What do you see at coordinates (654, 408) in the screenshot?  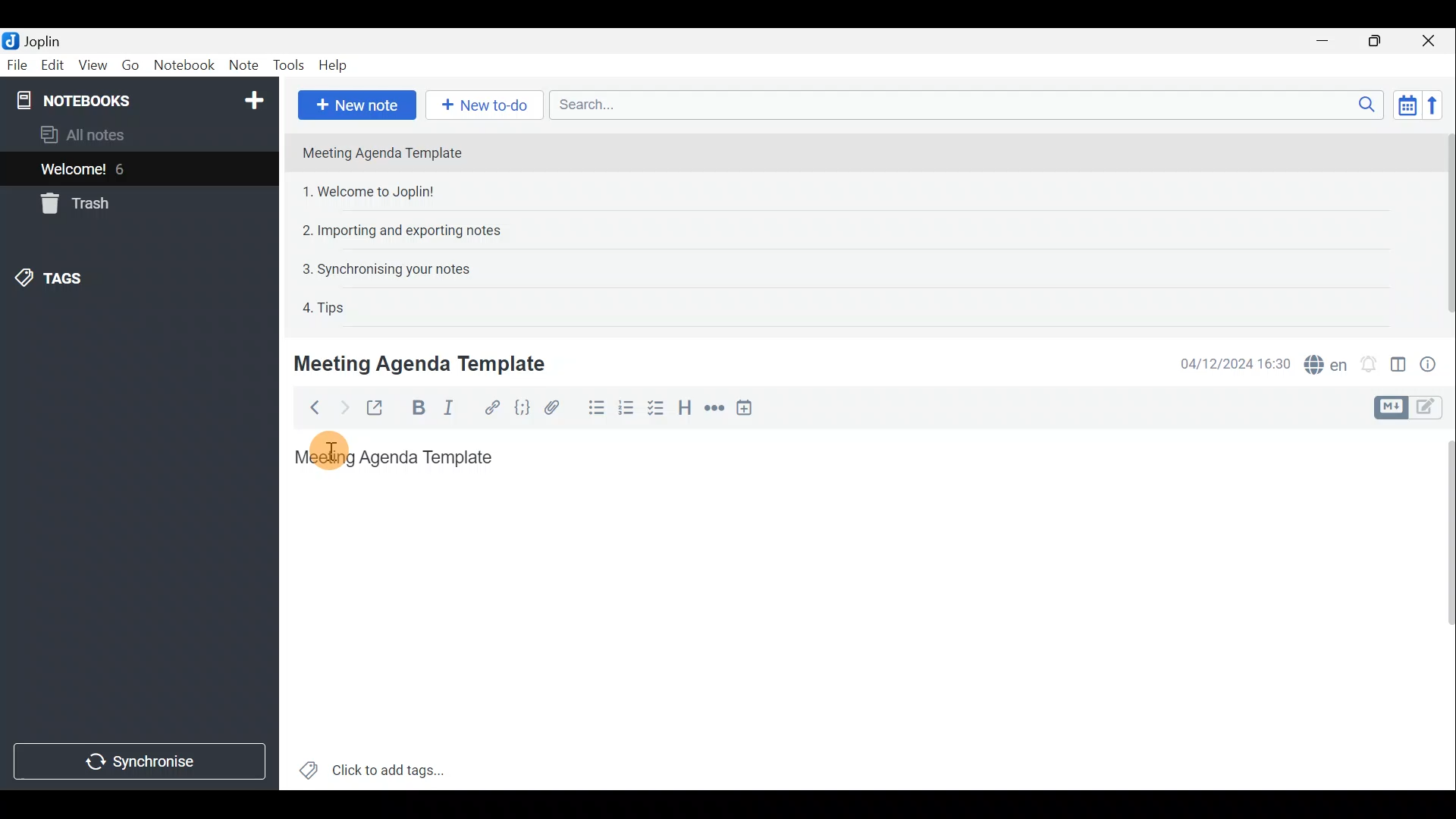 I see `Checkbox` at bounding box center [654, 408].